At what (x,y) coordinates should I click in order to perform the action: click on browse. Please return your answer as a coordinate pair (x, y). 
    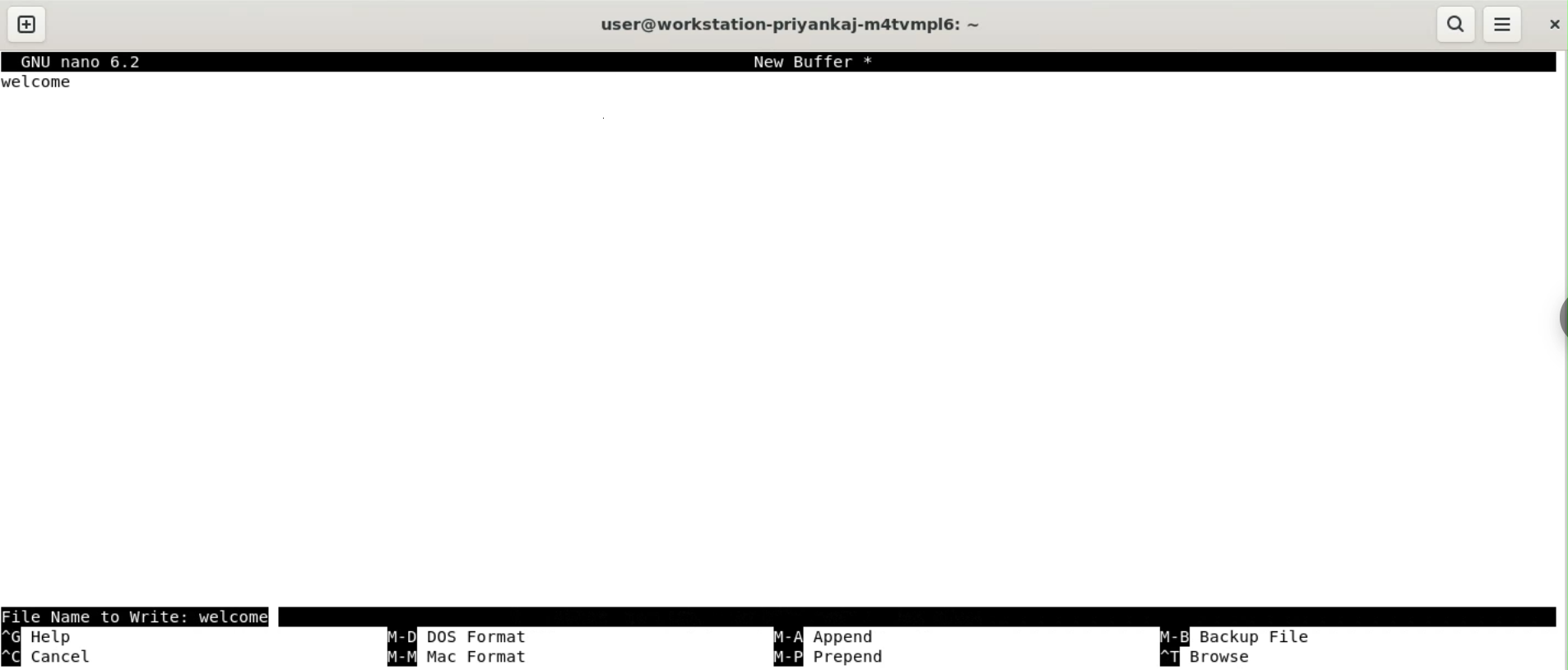
    Looking at the image, I should click on (1216, 658).